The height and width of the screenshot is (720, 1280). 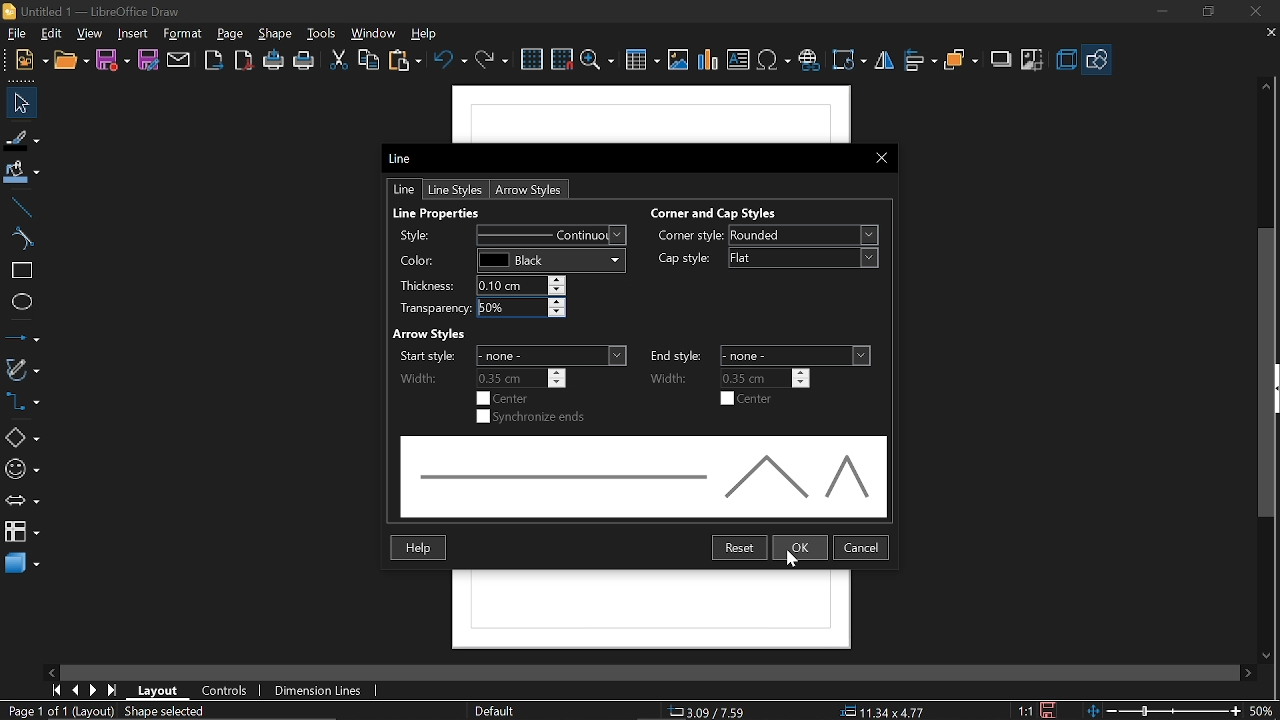 What do you see at coordinates (34, 710) in the screenshot?
I see `Current page (Page 1 of 1)` at bounding box center [34, 710].